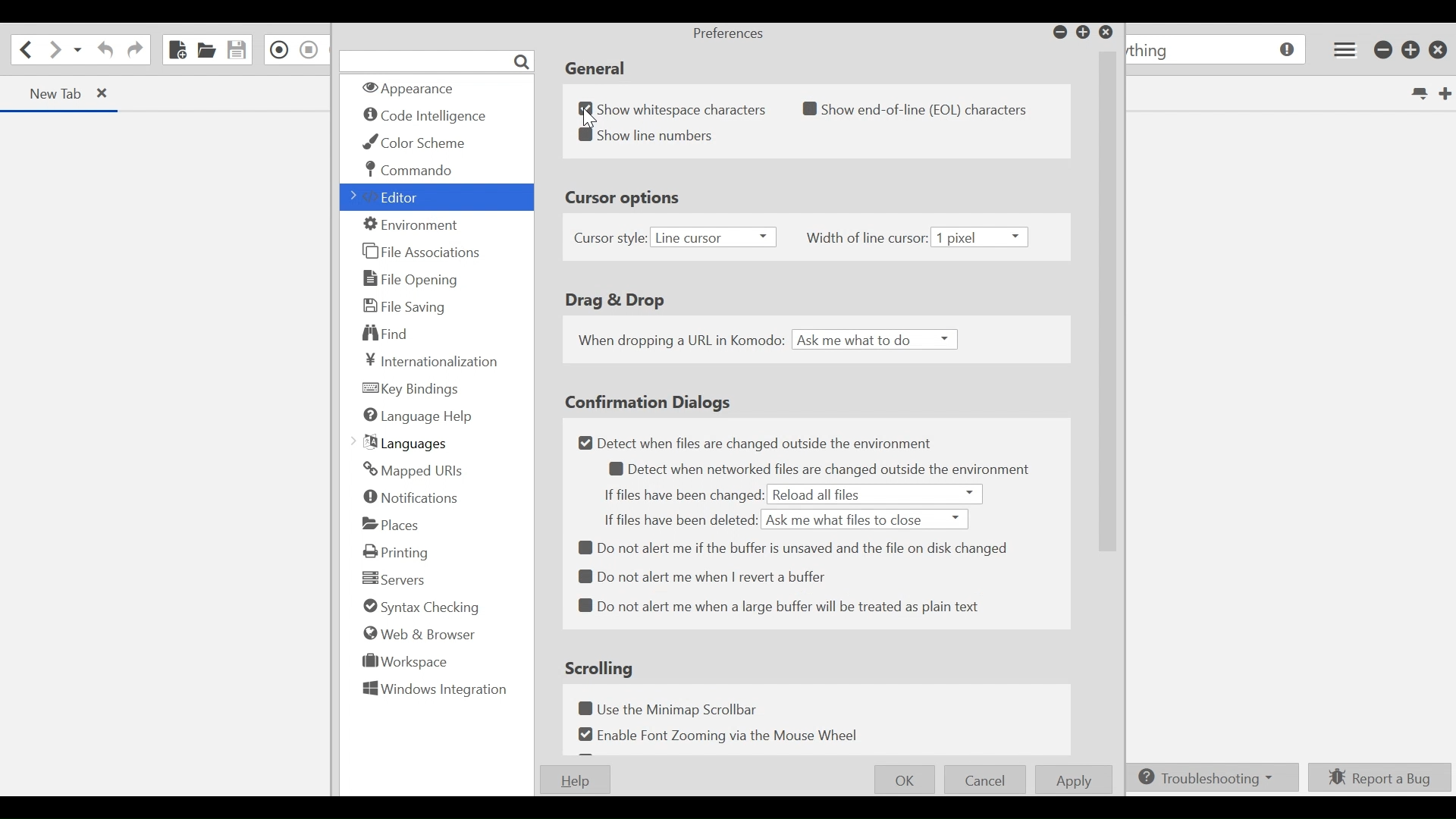  What do you see at coordinates (680, 519) in the screenshot?
I see `If Files have been deleted:` at bounding box center [680, 519].